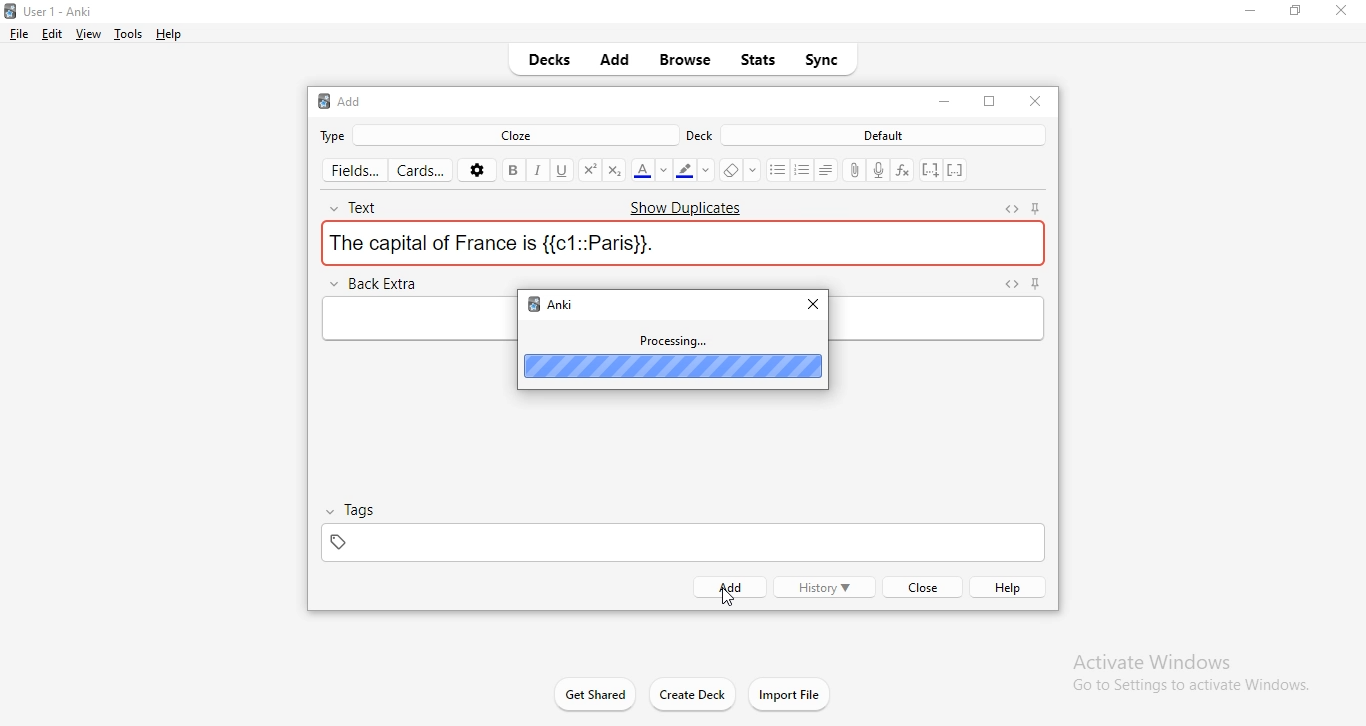  What do you see at coordinates (791, 694) in the screenshot?
I see `import files` at bounding box center [791, 694].